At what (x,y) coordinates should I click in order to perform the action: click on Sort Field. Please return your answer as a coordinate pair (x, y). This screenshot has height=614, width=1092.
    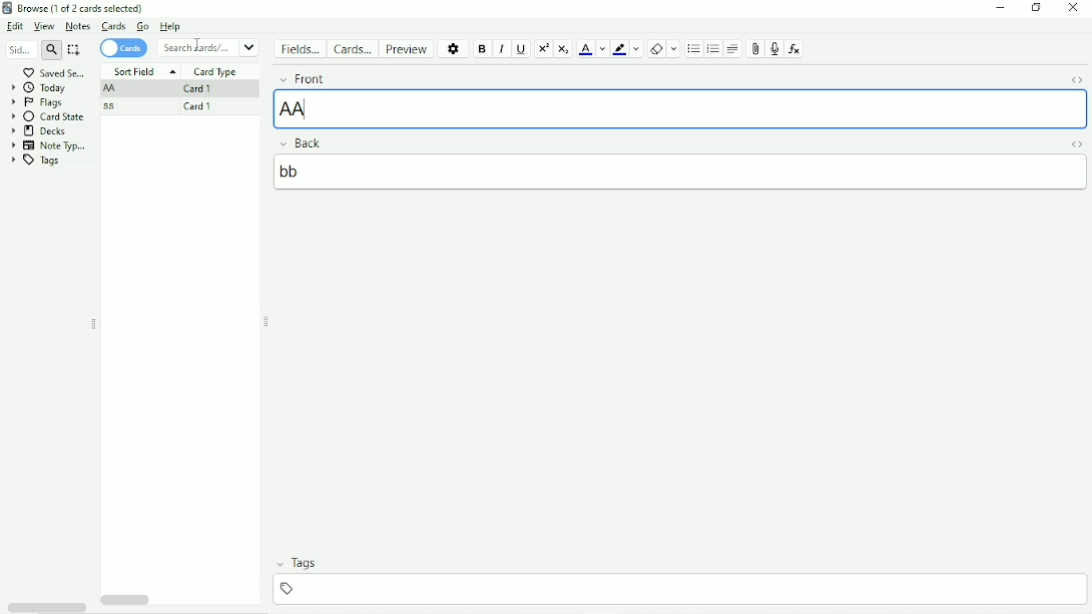
    Looking at the image, I should click on (142, 70).